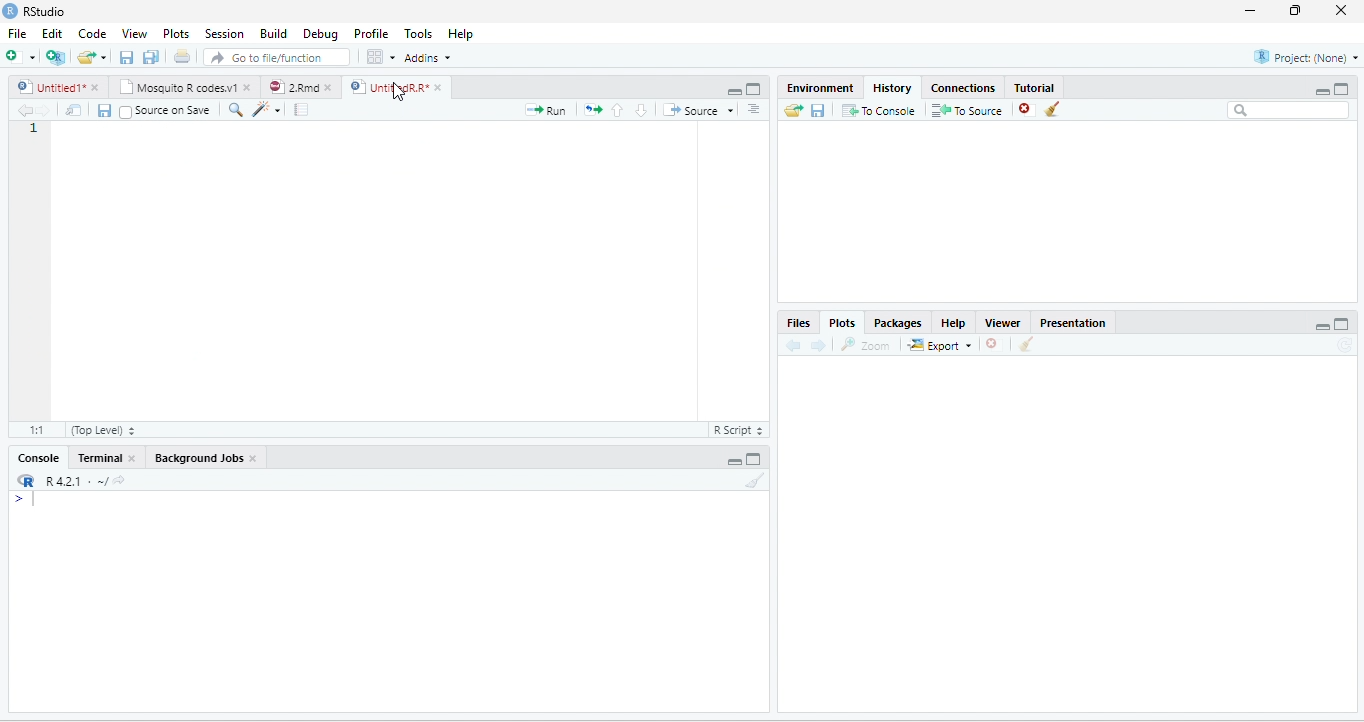  What do you see at coordinates (1322, 91) in the screenshot?
I see `Minimize` at bounding box center [1322, 91].